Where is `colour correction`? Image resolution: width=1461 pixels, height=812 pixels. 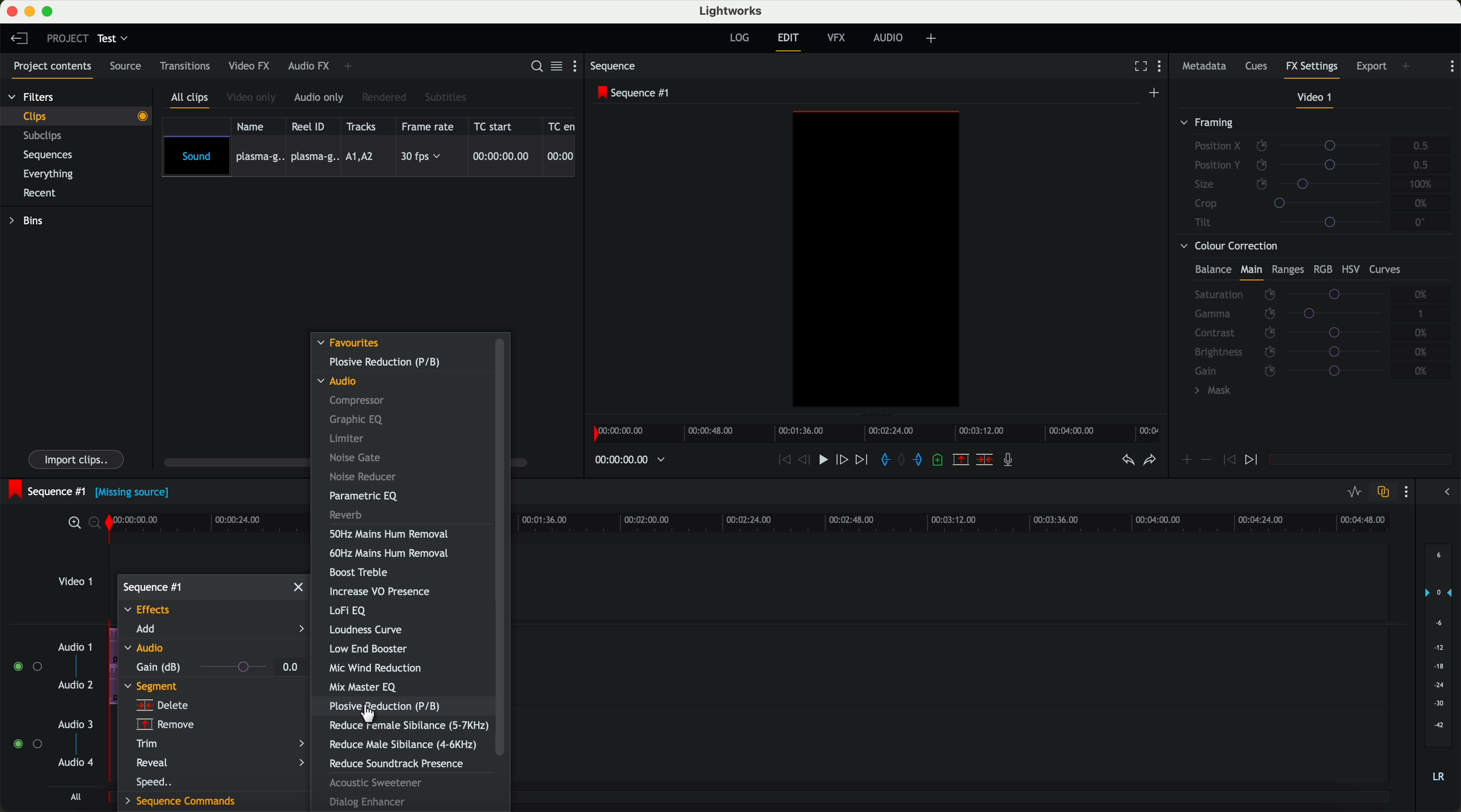
colour correction is located at coordinates (1310, 322).